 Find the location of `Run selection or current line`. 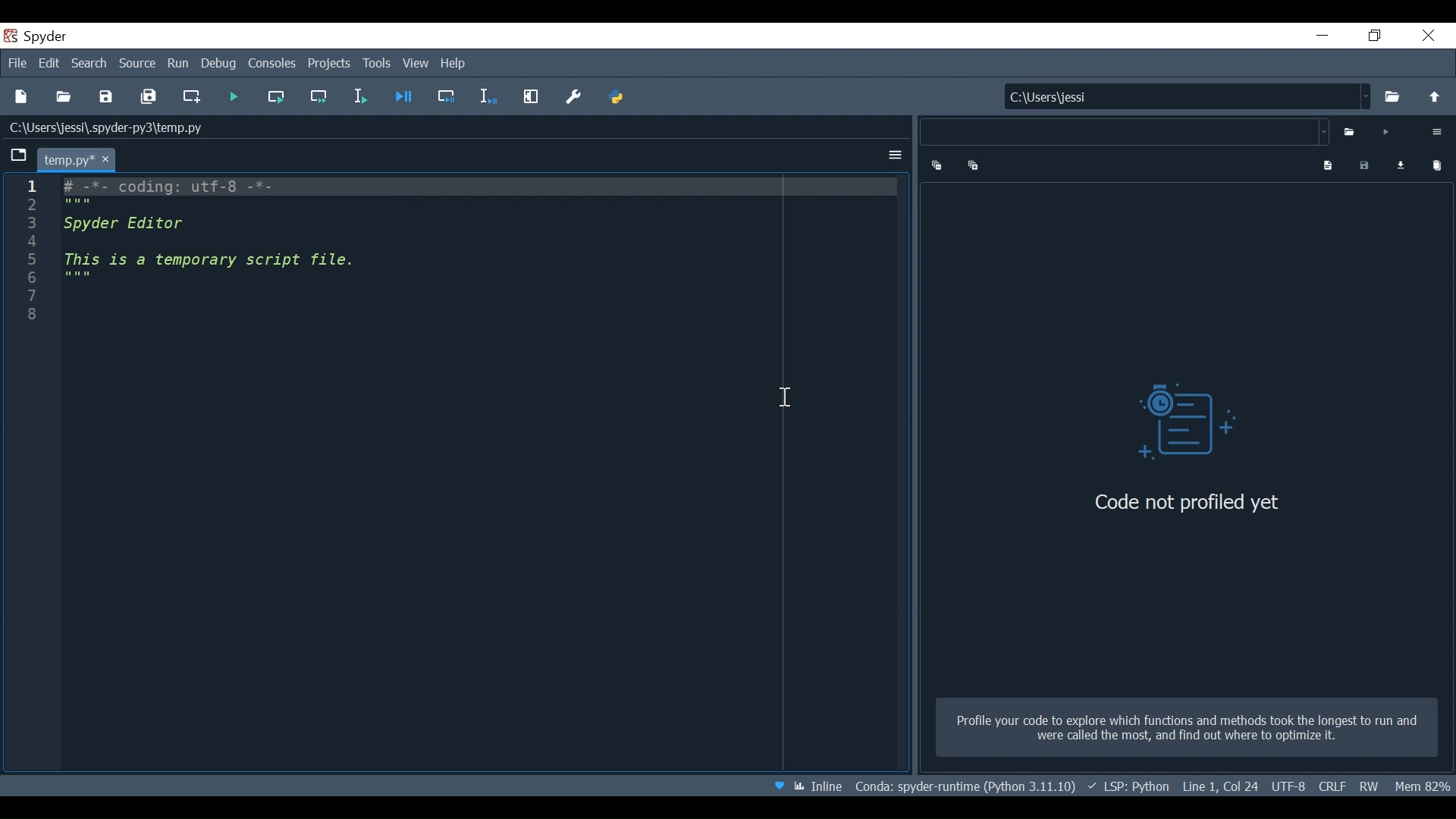

Run selection or current line is located at coordinates (359, 96).